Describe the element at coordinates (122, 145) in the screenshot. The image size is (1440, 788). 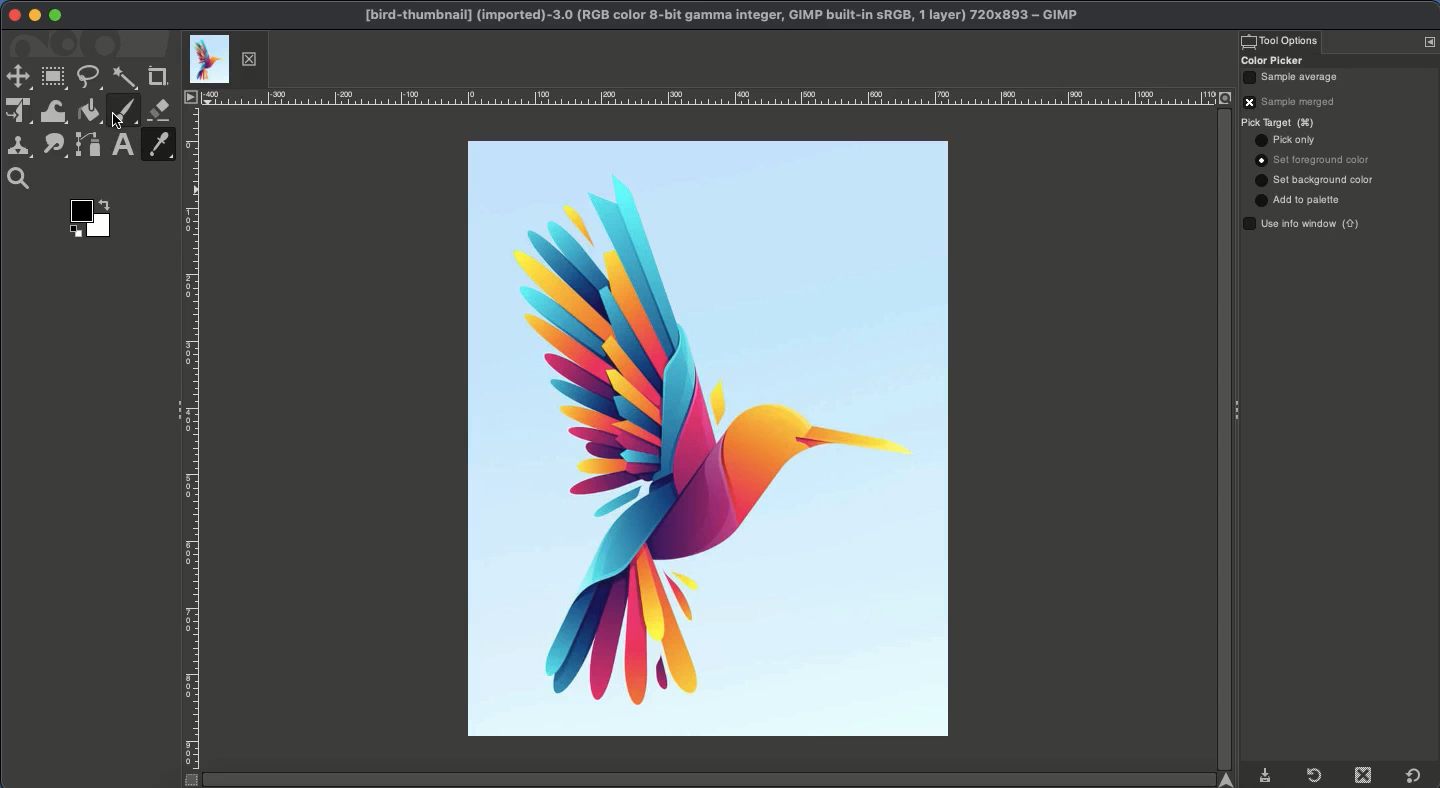
I see `Text` at that location.